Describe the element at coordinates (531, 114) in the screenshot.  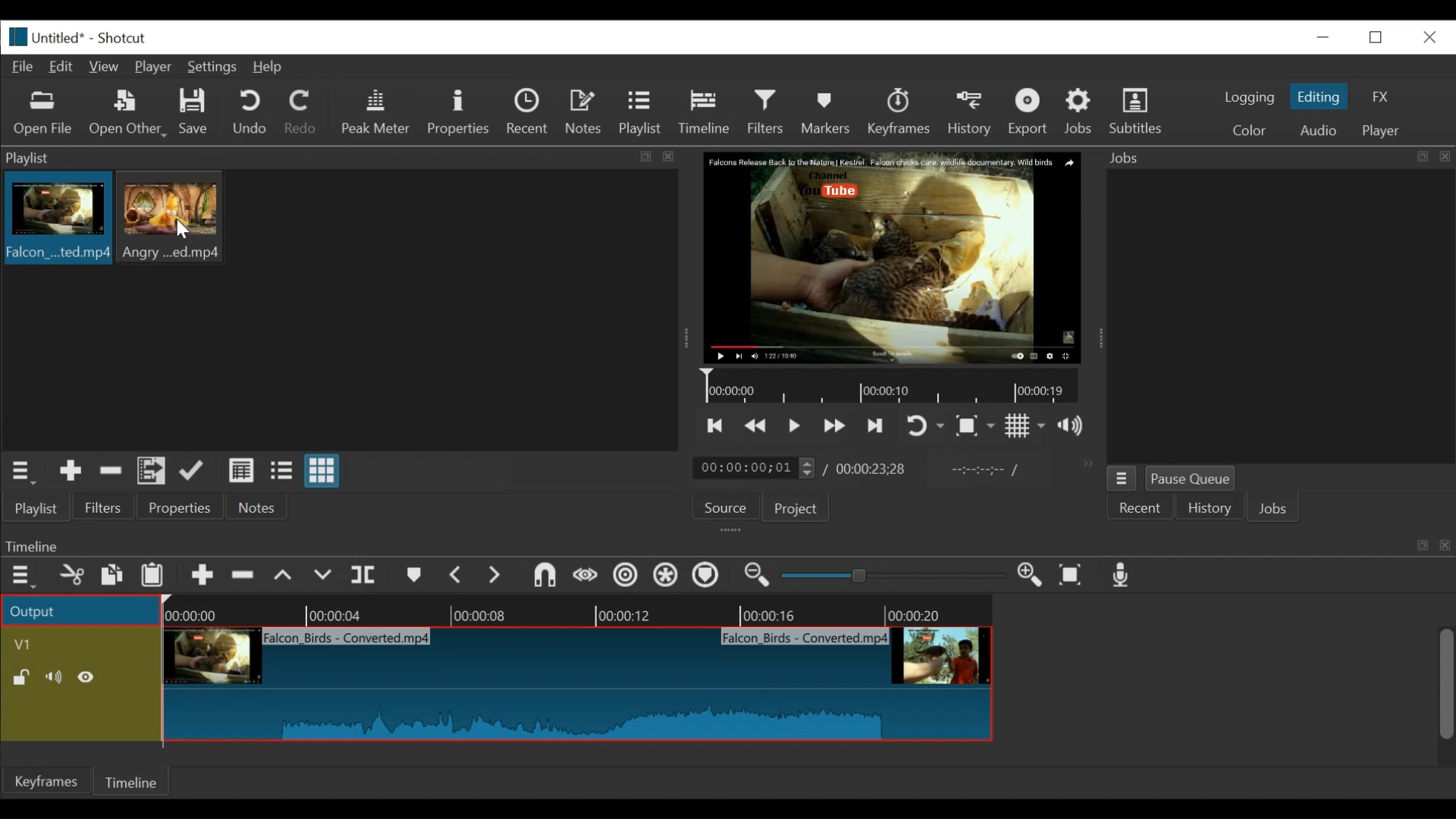
I see `Recent` at that location.